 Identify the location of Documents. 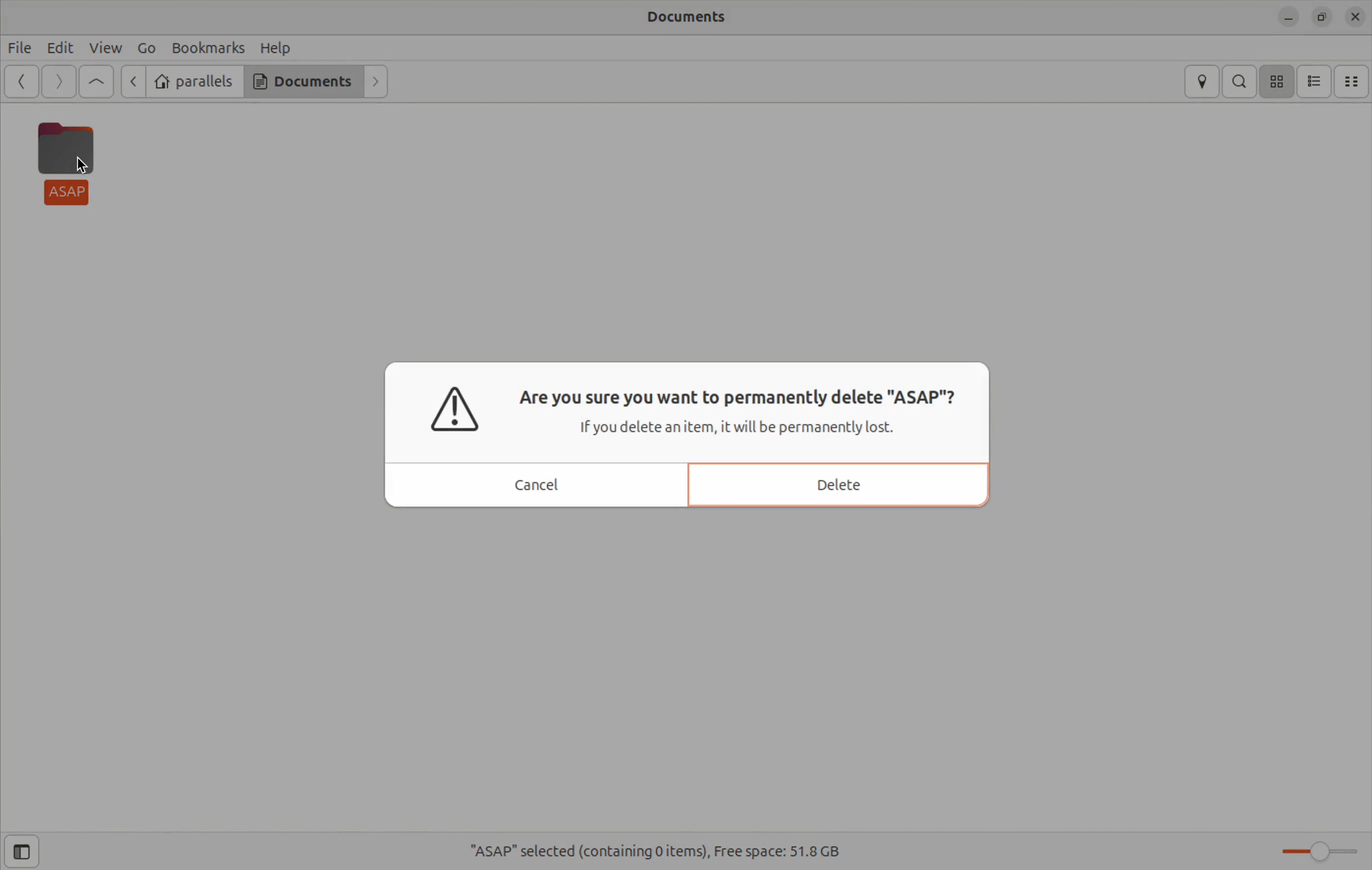
(303, 83).